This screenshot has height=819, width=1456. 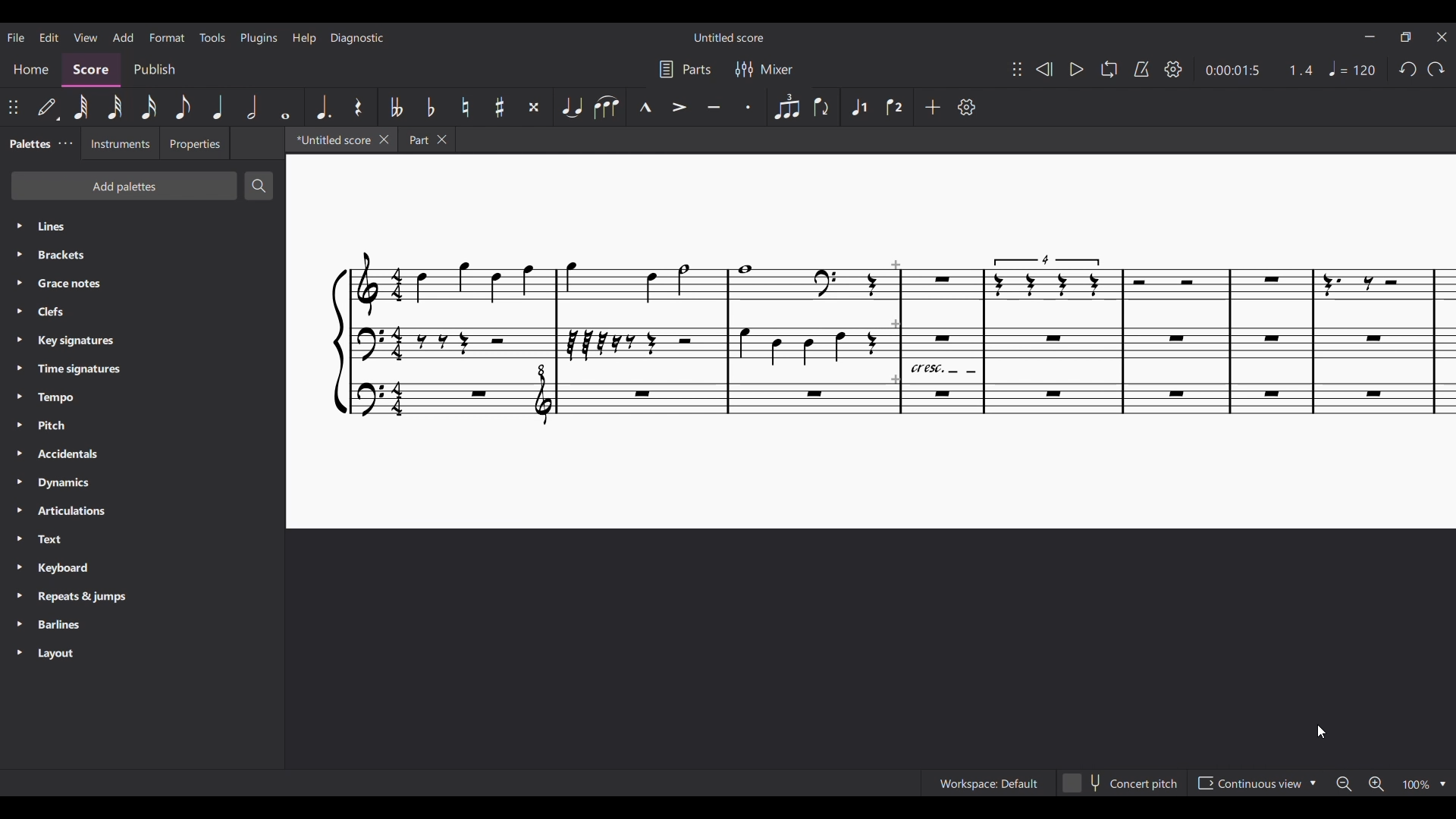 What do you see at coordinates (1344, 785) in the screenshot?
I see `Zoom out` at bounding box center [1344, 785].